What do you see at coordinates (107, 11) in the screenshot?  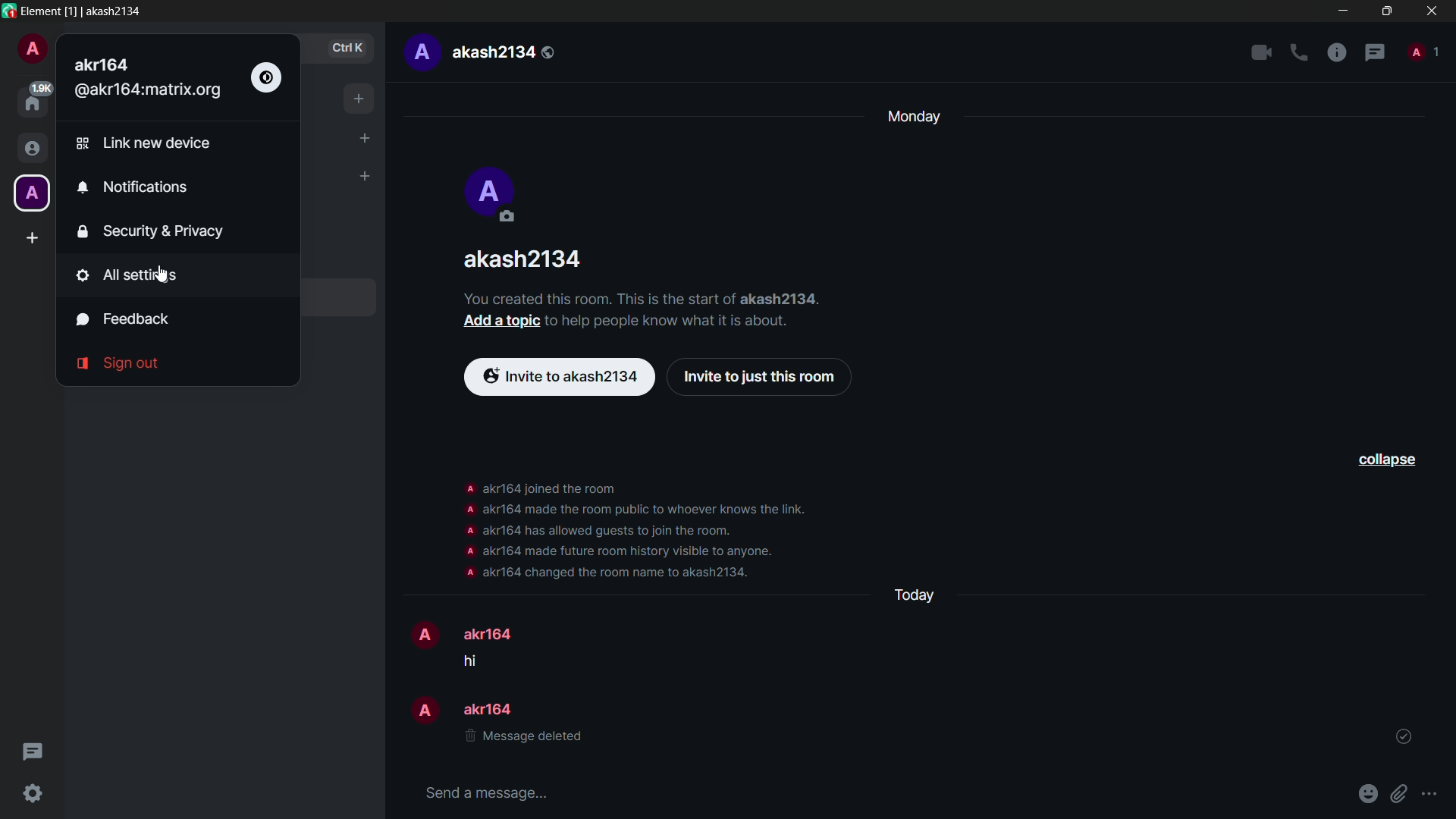 I see `[1] | akash2134` at bounding box center [107, 11].